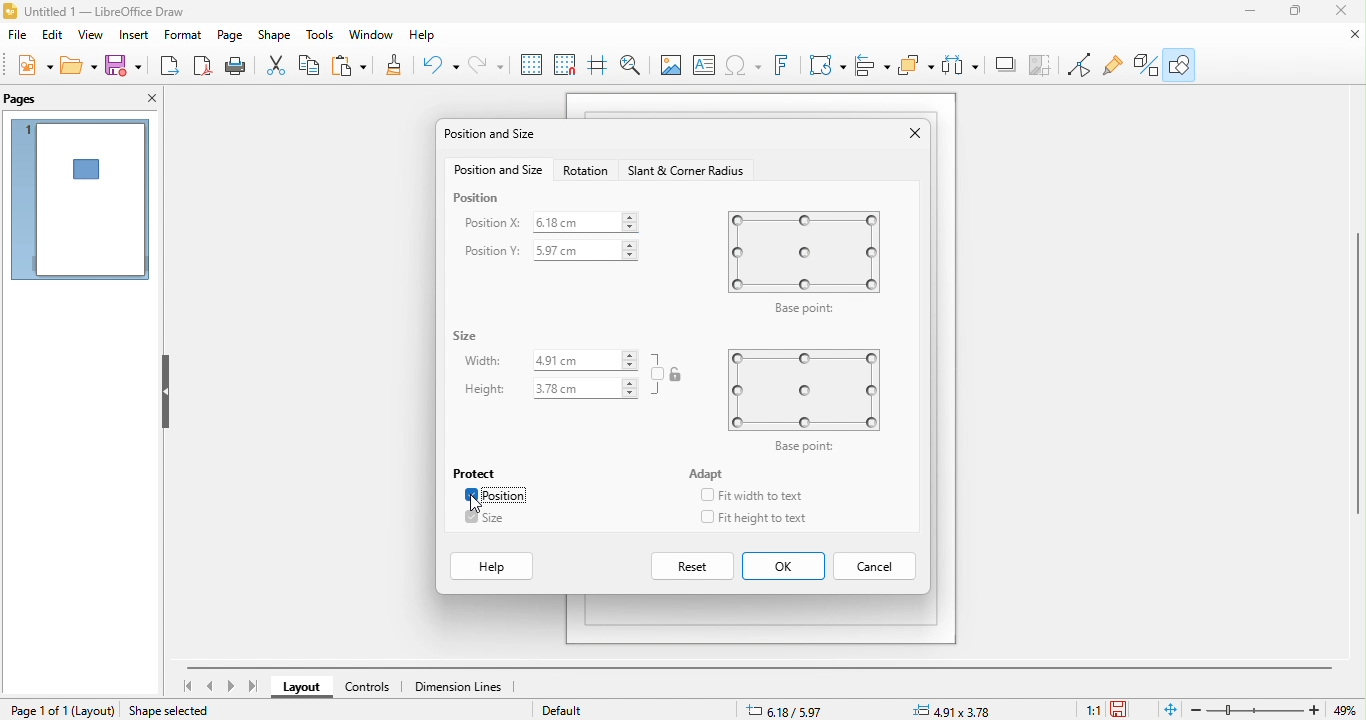 This screenshot has width=1366, height=720. What do you see at coordinates (772, 518) in the screenshot?
I see `fit height to text` at bounding box center [772, 518].